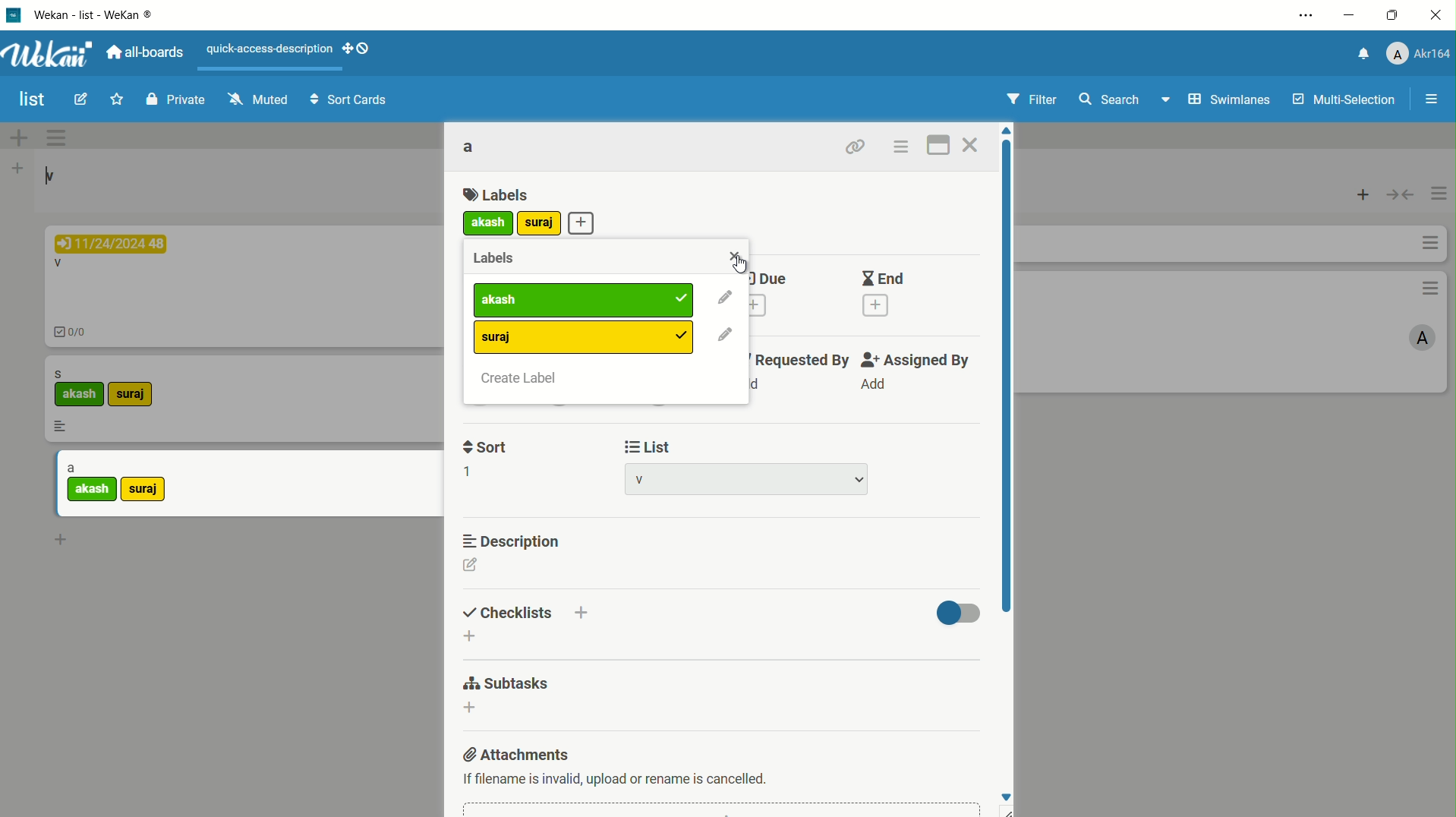 This screenshot has height=817, width=1456. Describe the element at coordinates (56, 180) in the screenshot. I see `v` at that location.